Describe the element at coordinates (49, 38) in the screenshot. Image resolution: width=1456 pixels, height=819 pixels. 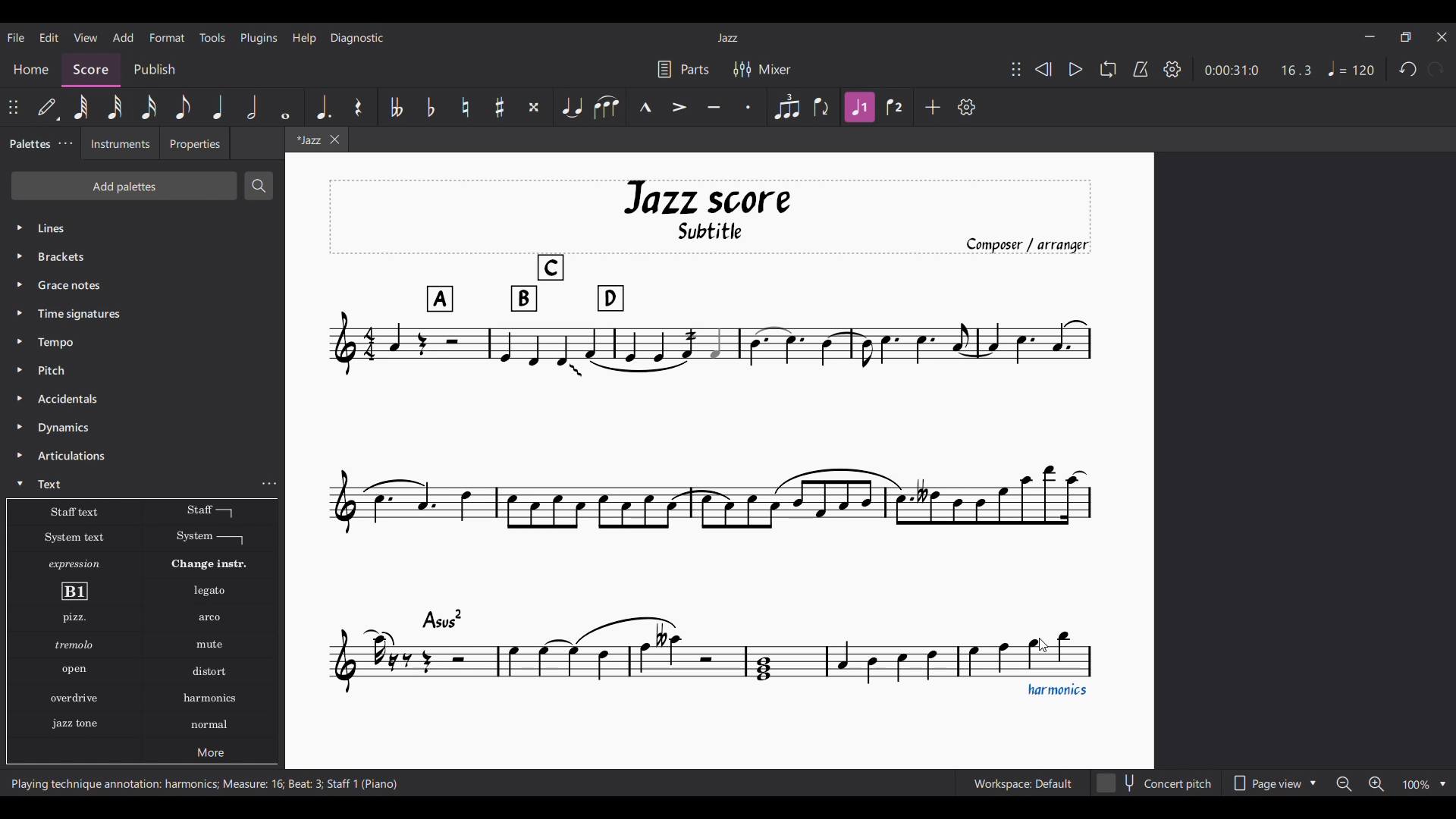
I see `Edit menu` at that location.